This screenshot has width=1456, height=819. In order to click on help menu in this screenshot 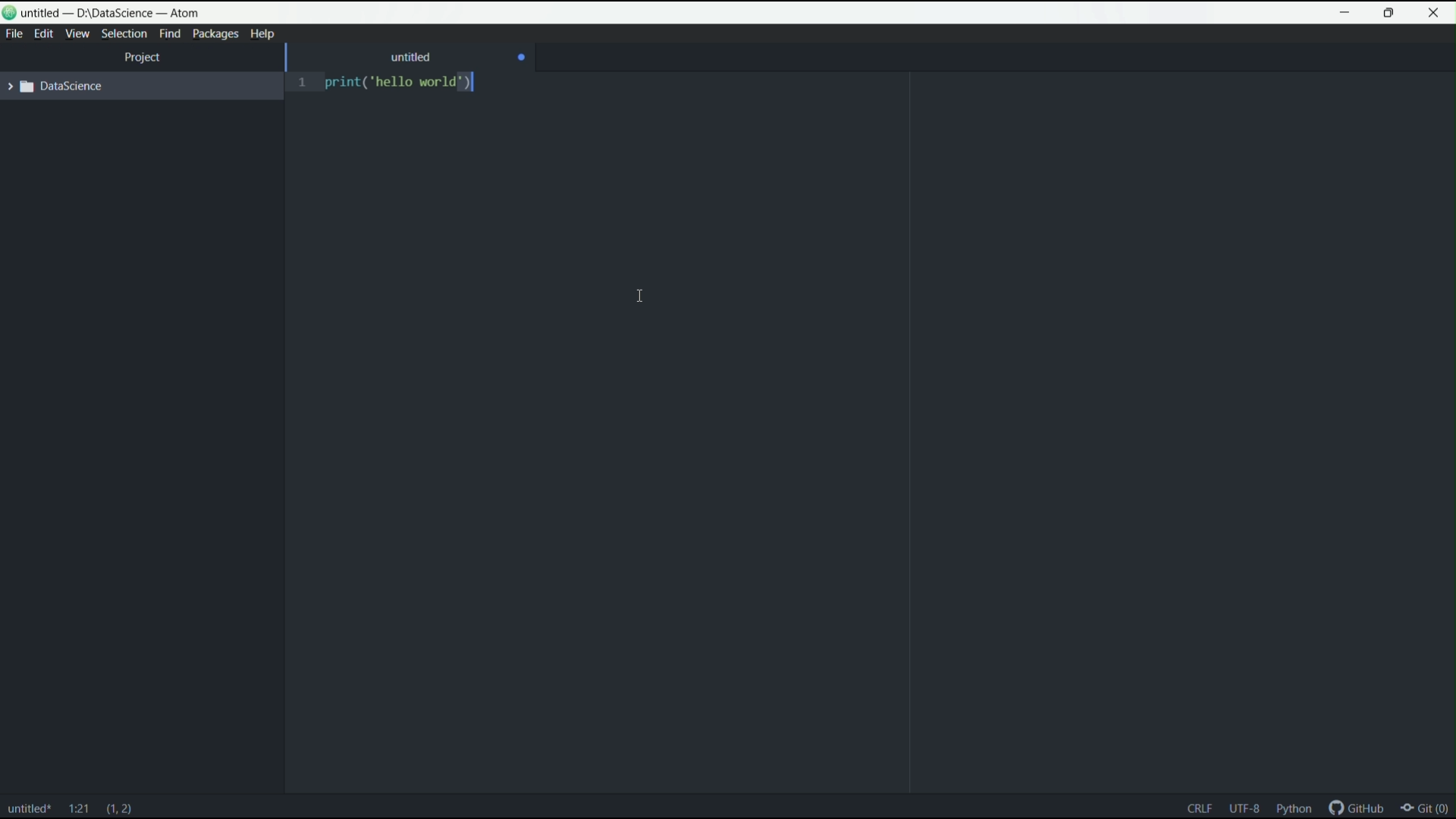, I will do `click(261, 33)`.